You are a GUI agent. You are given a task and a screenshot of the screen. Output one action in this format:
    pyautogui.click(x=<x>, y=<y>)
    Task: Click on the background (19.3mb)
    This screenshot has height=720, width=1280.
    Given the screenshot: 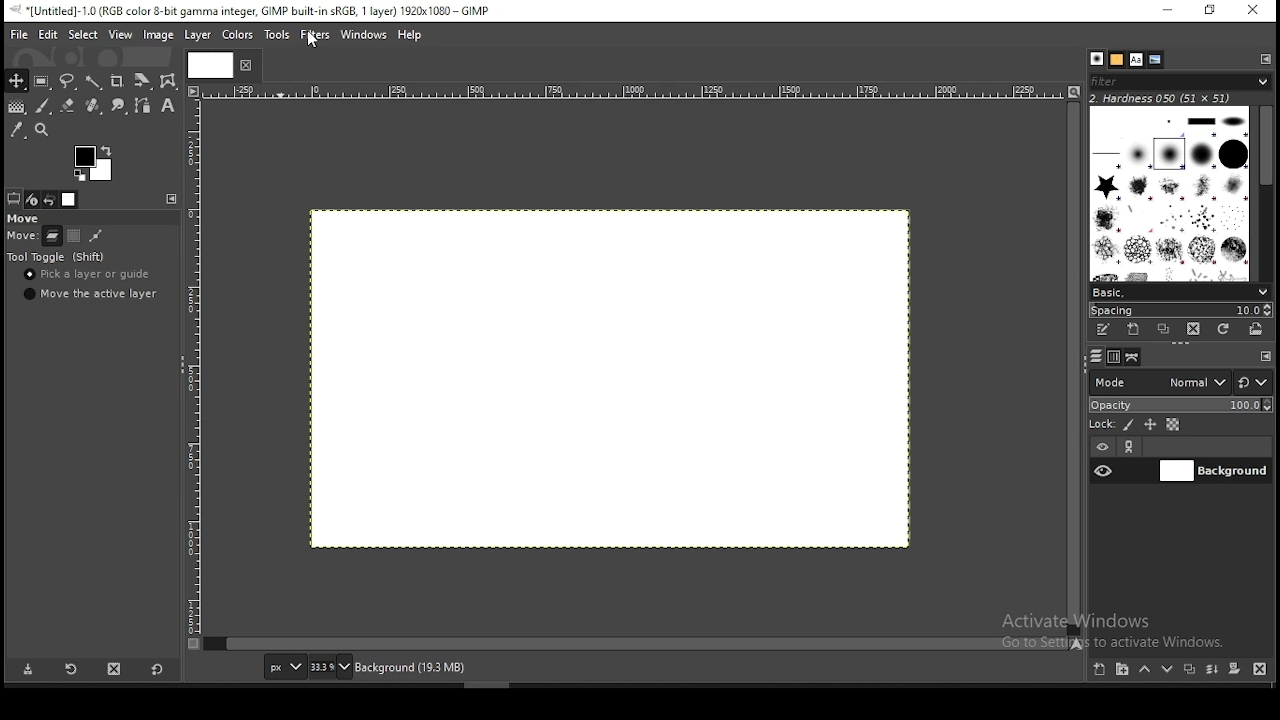 What is the action you would take?
    pyautogui.click(x=410, y=666)
    